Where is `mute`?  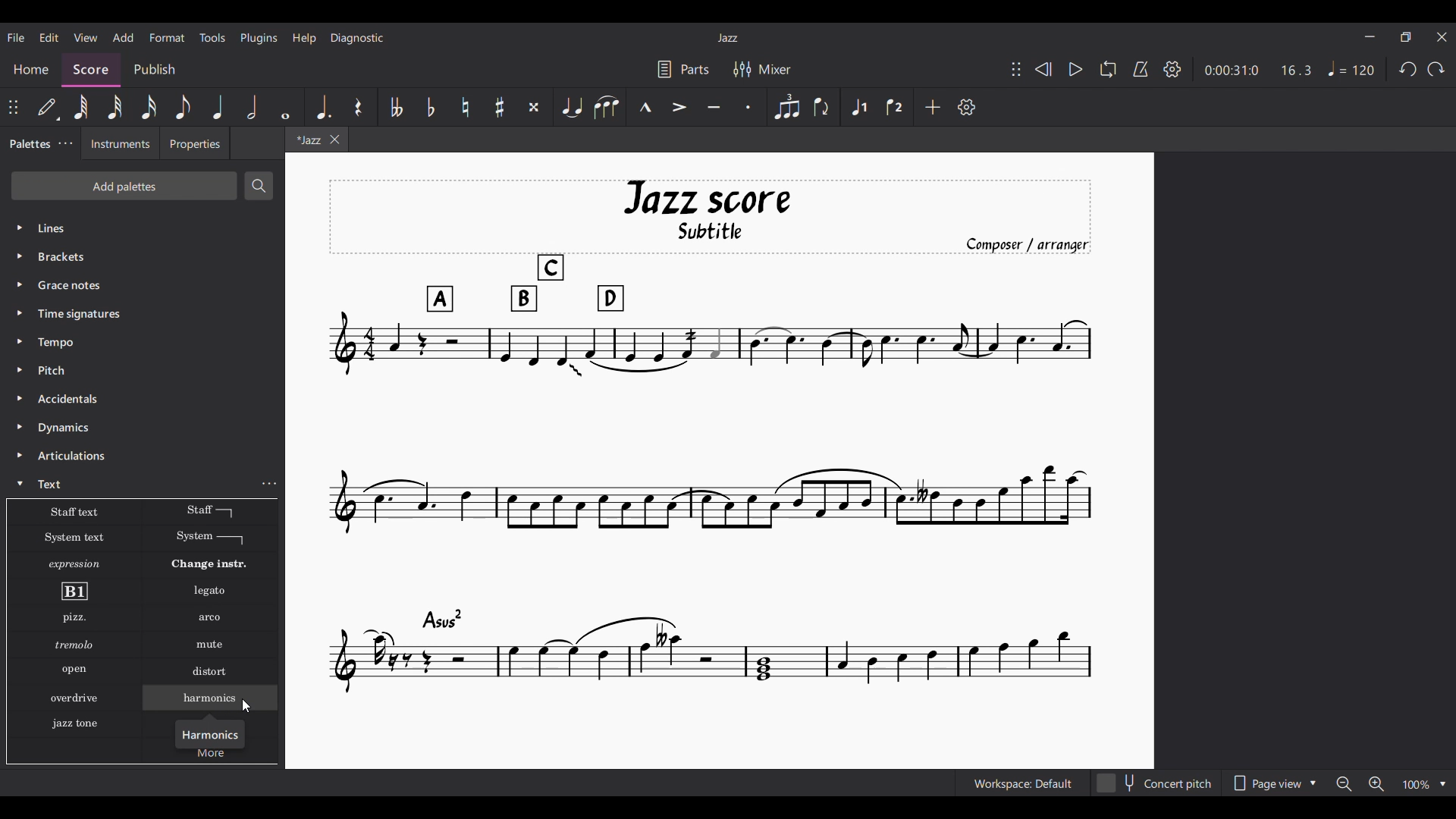 mute is located at coordinates (212, 646).